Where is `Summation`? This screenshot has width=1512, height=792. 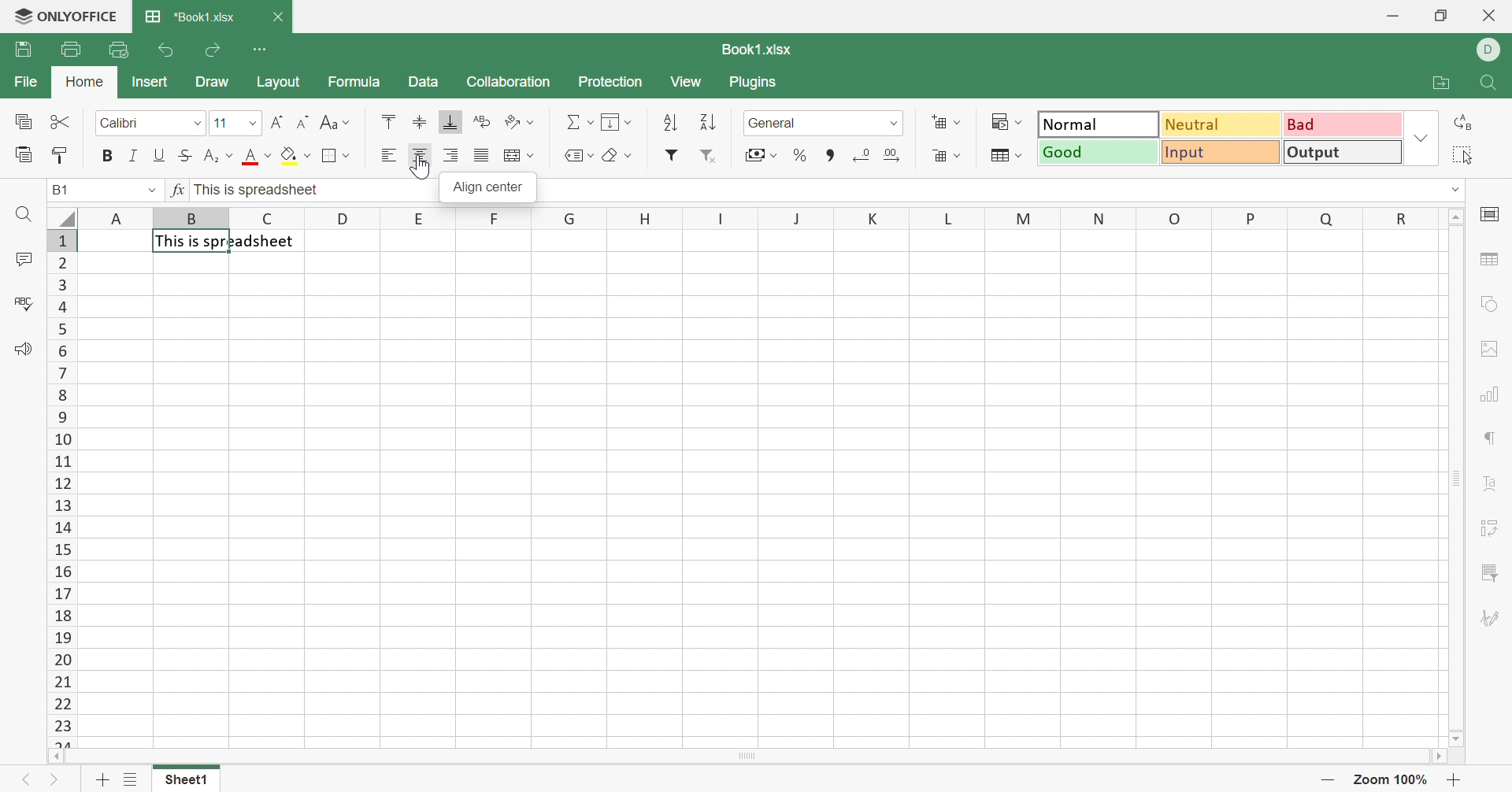
Summation is located at coordinates (570, 120).